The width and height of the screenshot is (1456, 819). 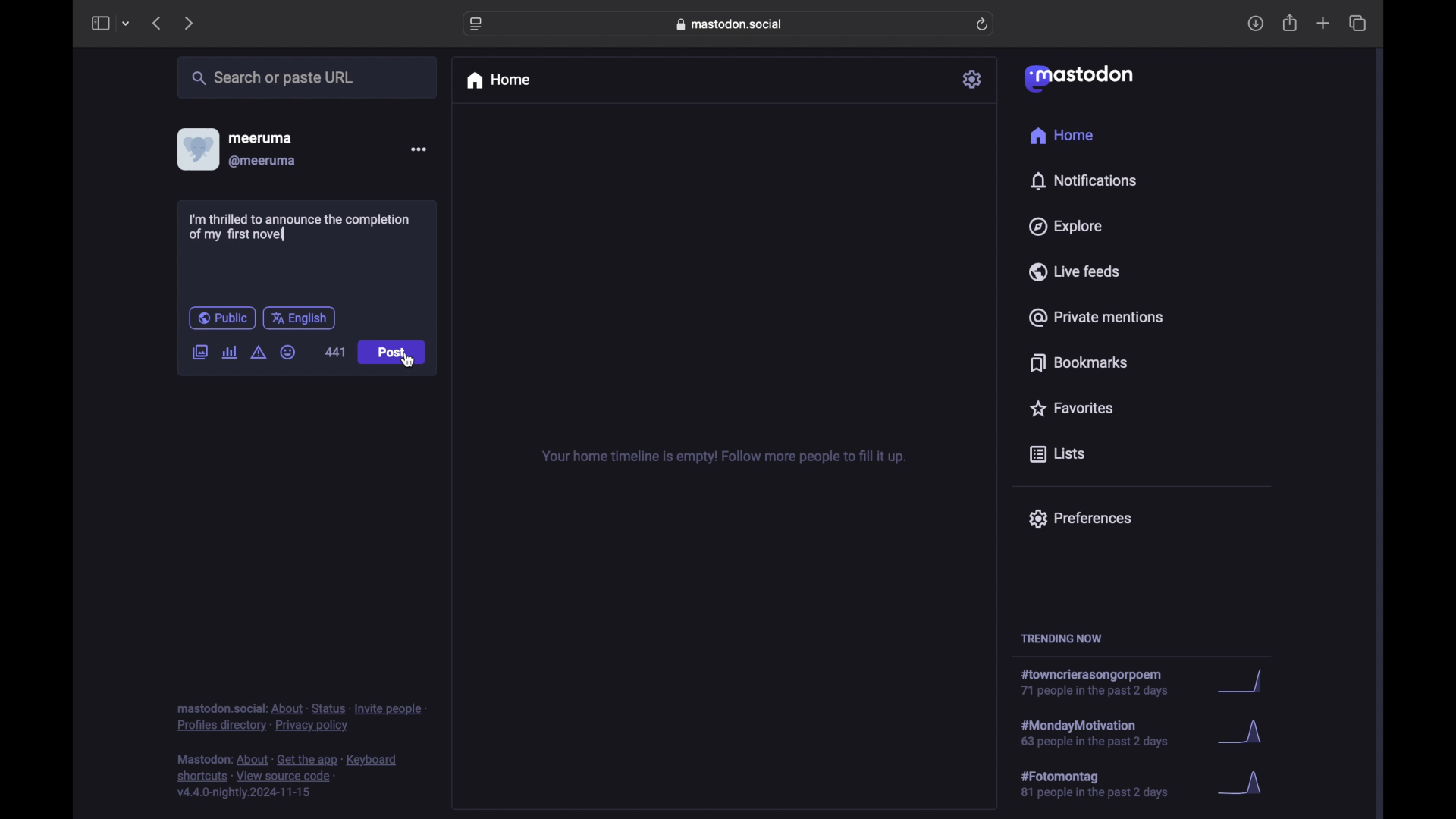 What do you see at coordinates (222, 318) in the screenshot?
I see `public` at bounding box center [222, 318].